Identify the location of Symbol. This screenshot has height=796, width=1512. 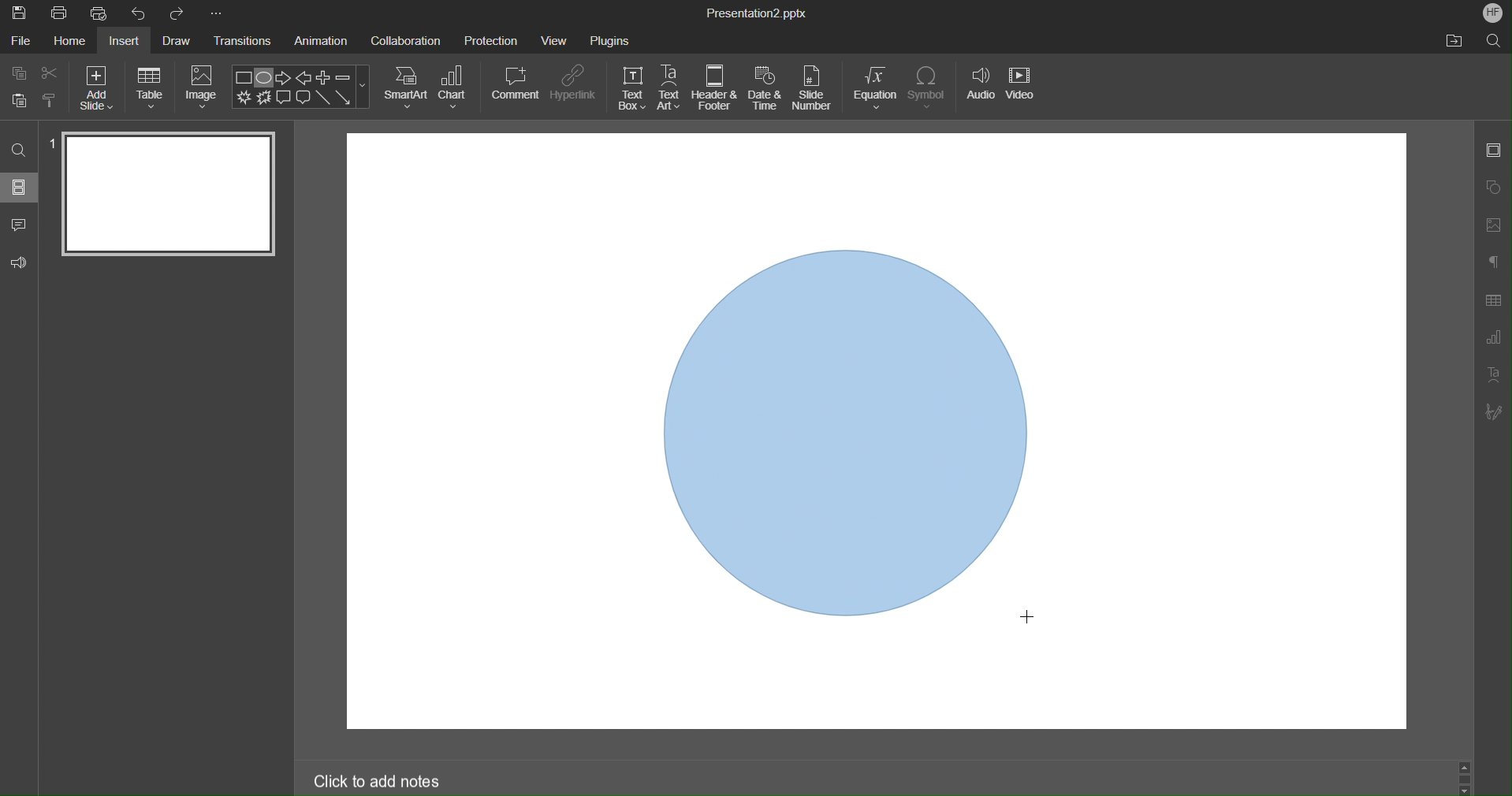
(929, 88).